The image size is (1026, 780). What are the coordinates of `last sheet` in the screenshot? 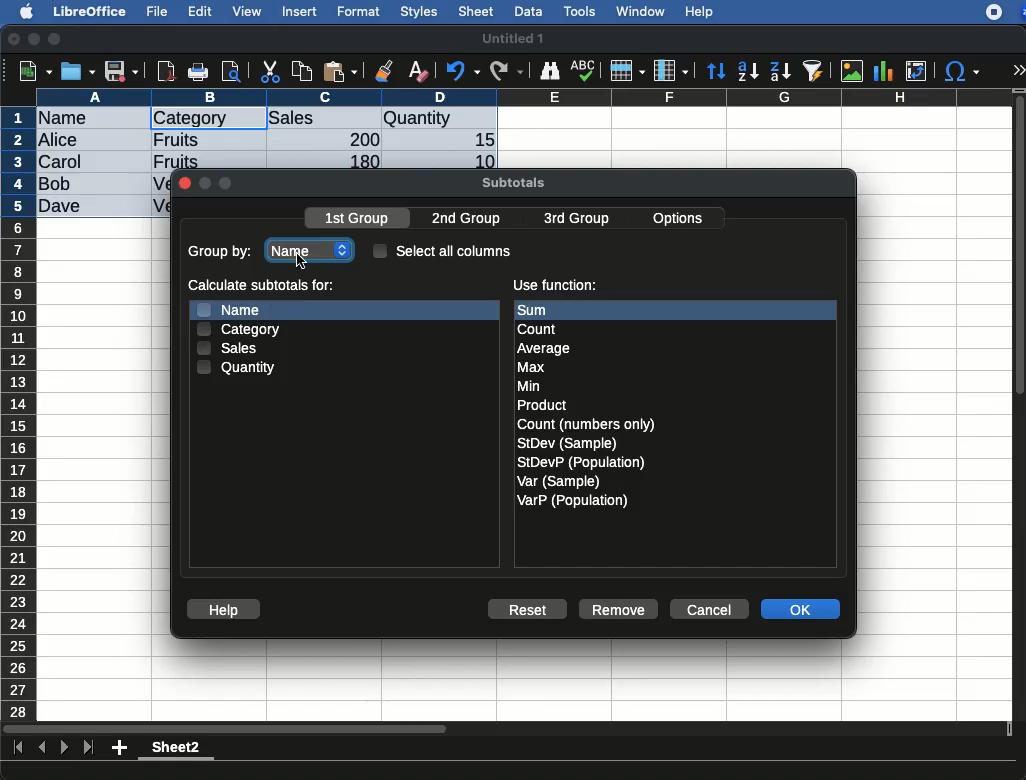 It's located at (88, 748).